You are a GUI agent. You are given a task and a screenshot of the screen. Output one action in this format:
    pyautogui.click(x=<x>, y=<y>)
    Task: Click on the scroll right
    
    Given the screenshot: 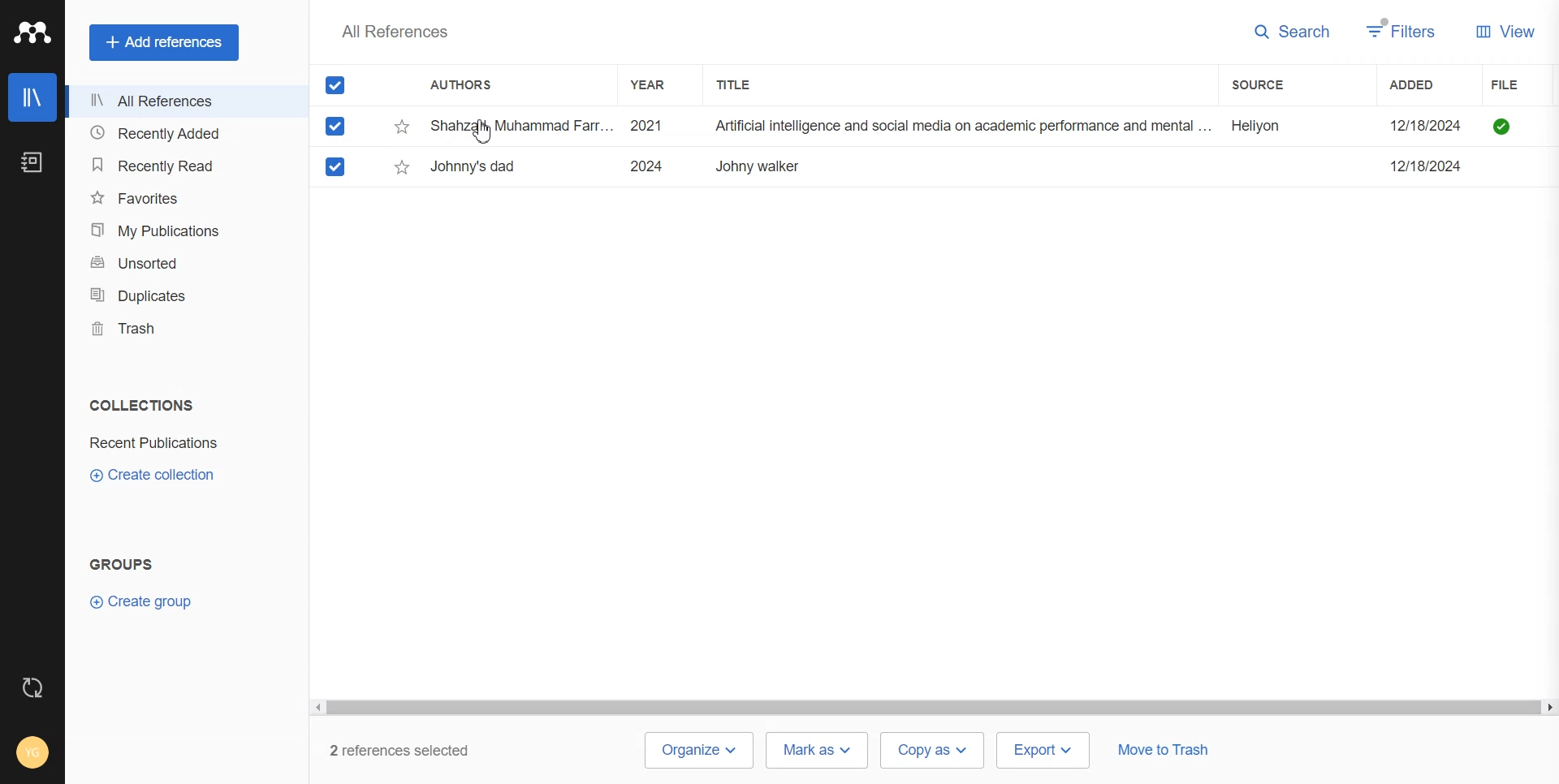 What is the action you would take?
    pyautogui.click(x=1548, y=709)
    